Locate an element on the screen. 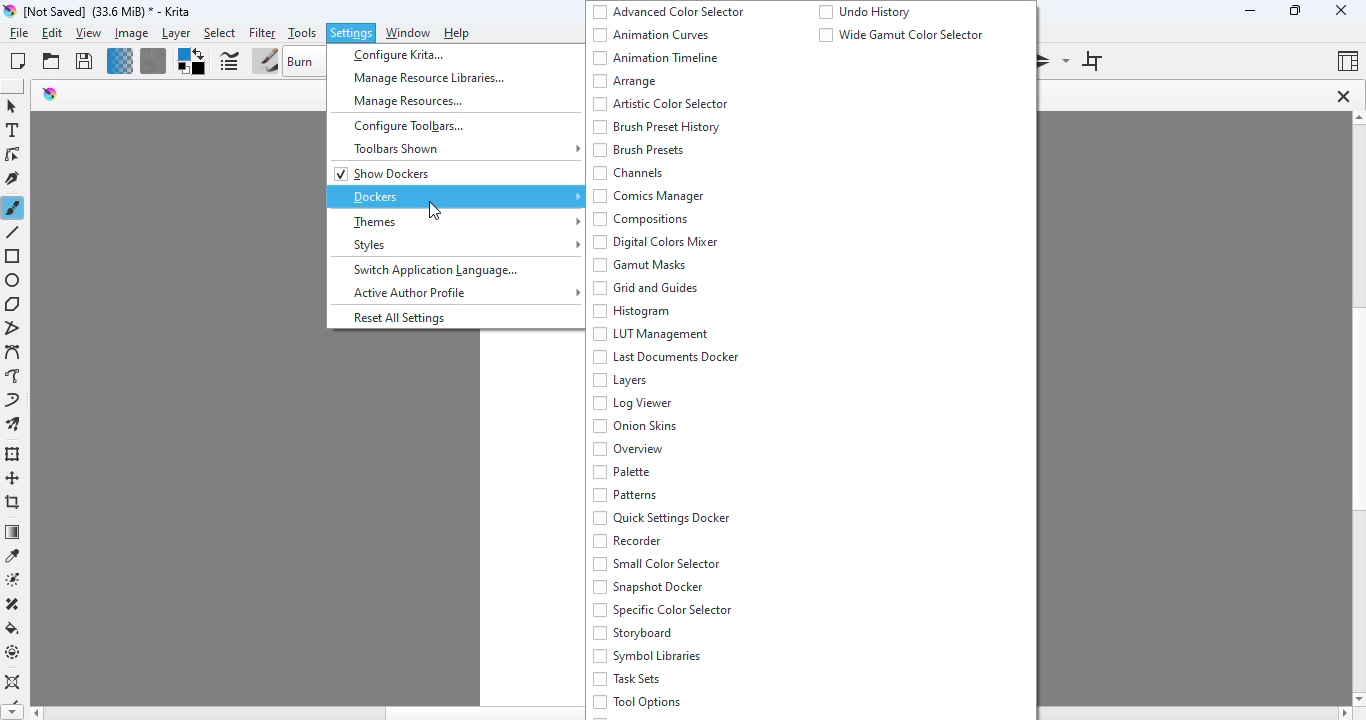 The image size is (1366, 720). colorize mask tool is located at coordinates (15, 579).